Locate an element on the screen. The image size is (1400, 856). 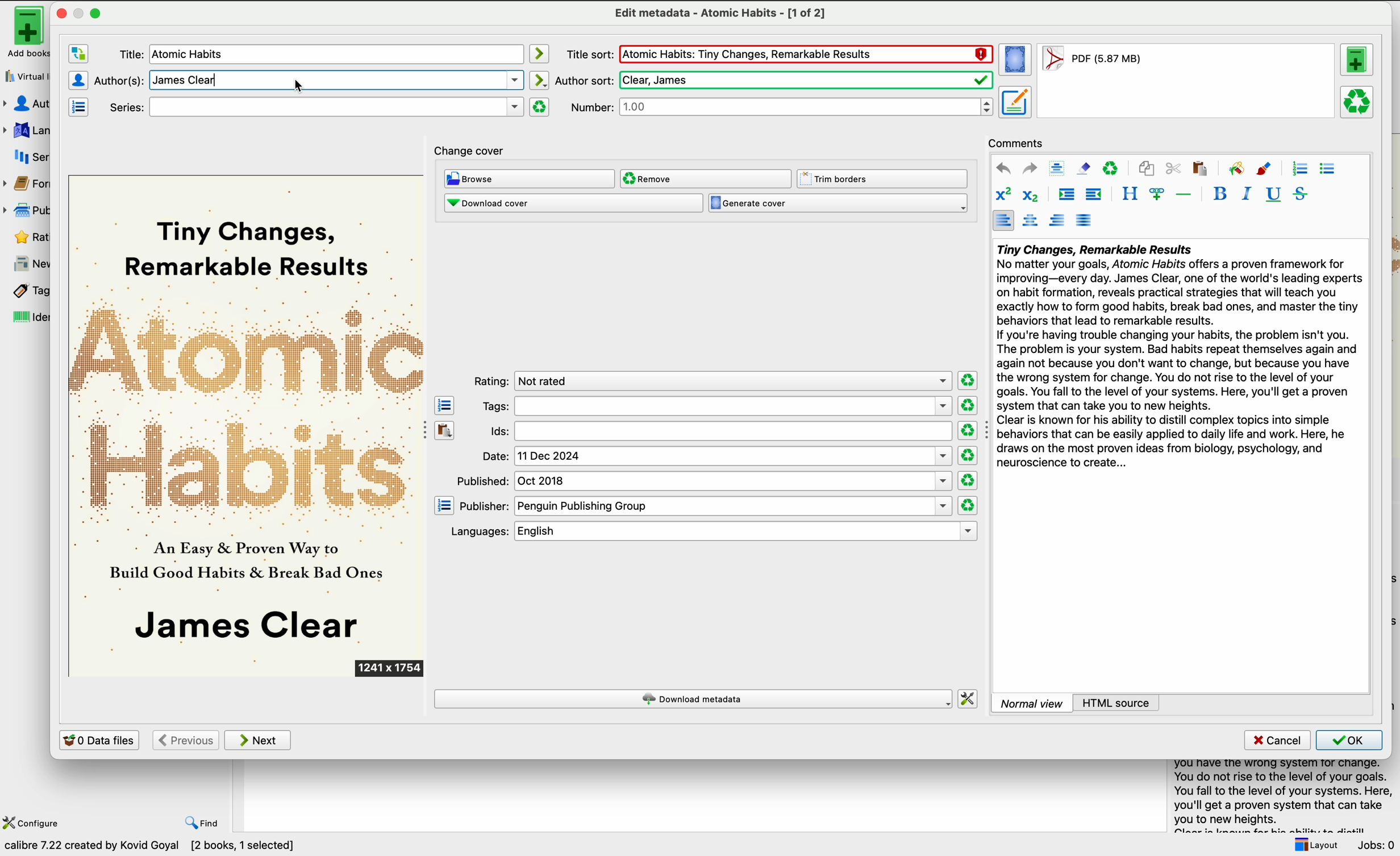
authors is located at coordinates (28, 104).